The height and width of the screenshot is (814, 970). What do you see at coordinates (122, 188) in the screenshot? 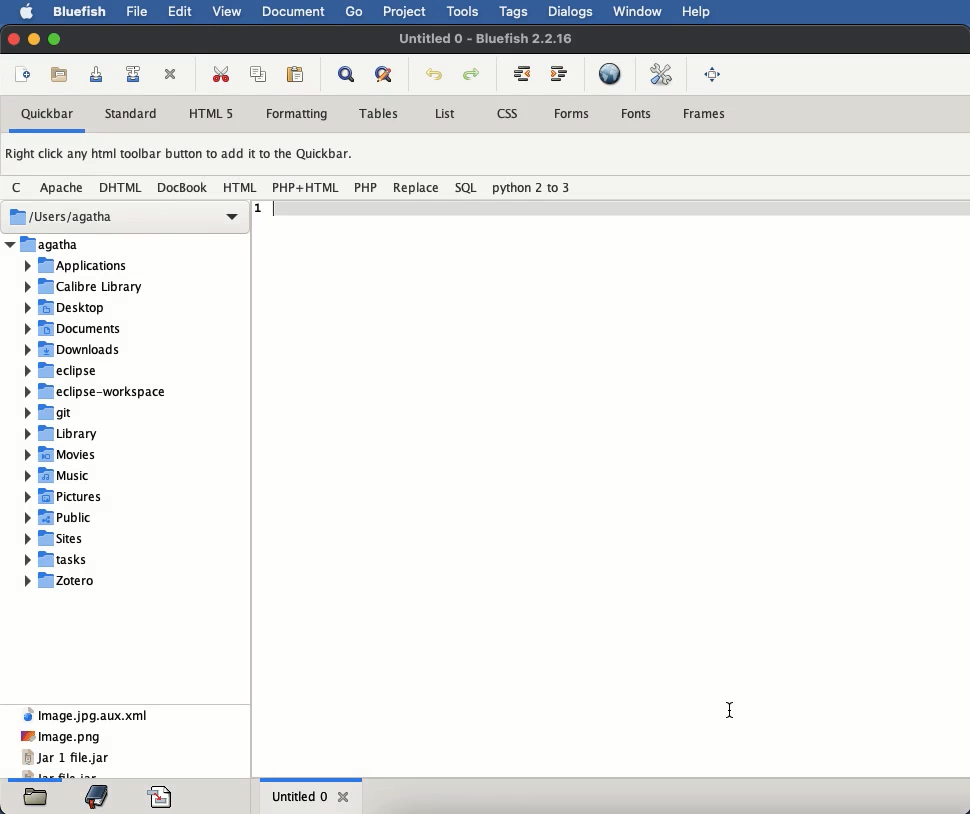
I see `DHTML` at bounding box center [122, 188].